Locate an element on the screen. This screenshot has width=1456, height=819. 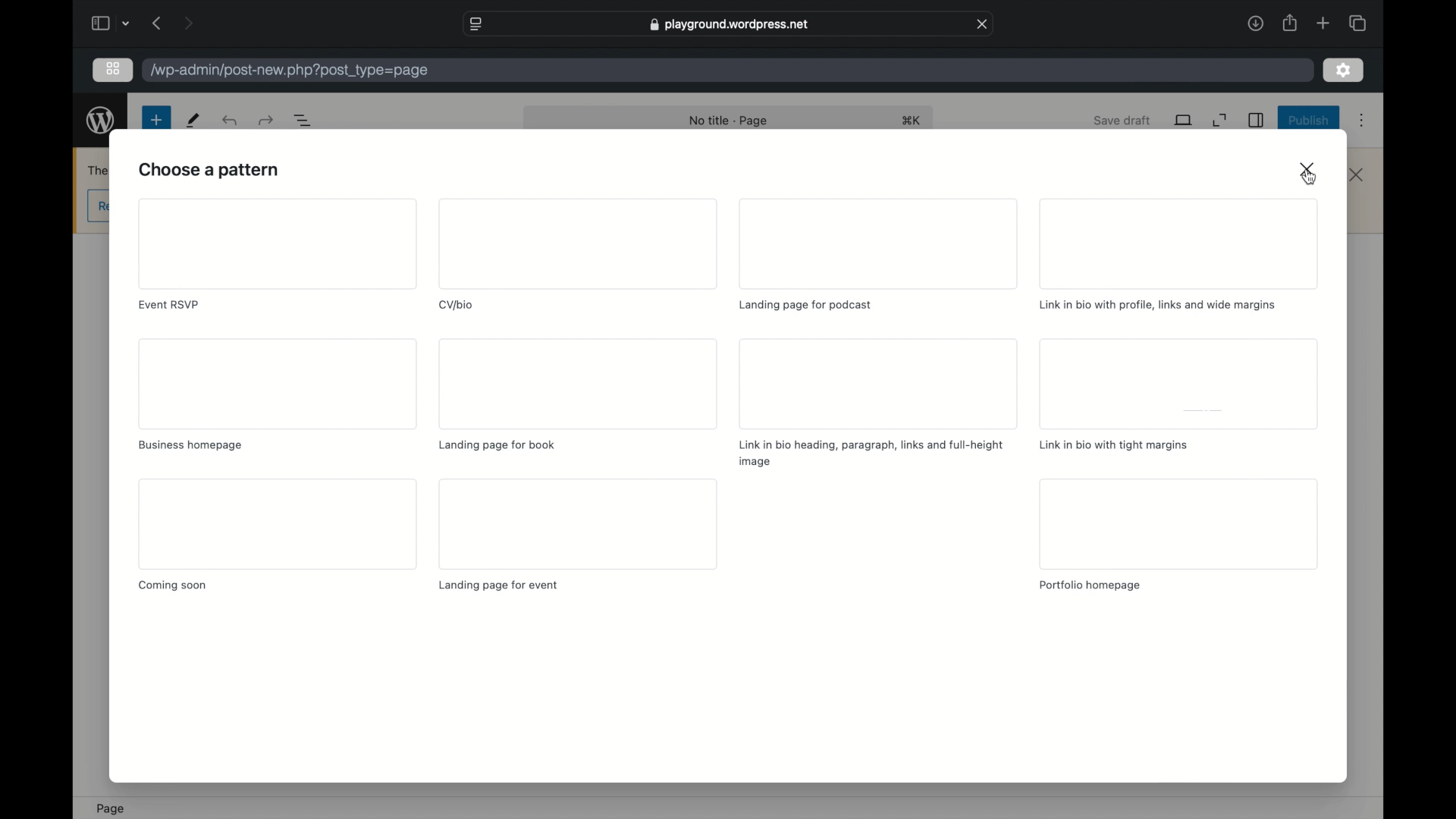
cursor is located at coordinates (1311, 178).